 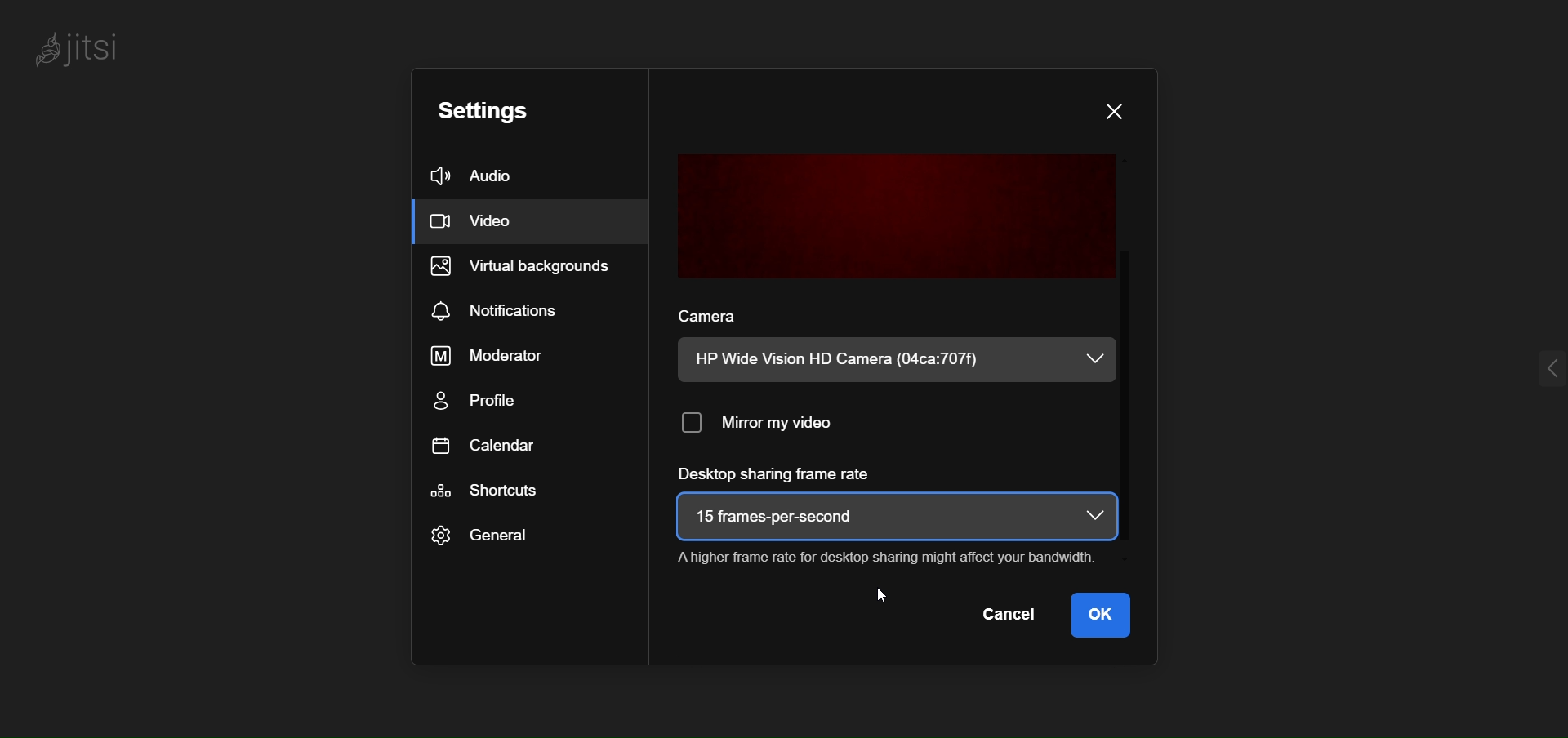 What do you see at coordinates (506, 111) in the screenshot?
I see `setting` at bounding box center [506, 111].